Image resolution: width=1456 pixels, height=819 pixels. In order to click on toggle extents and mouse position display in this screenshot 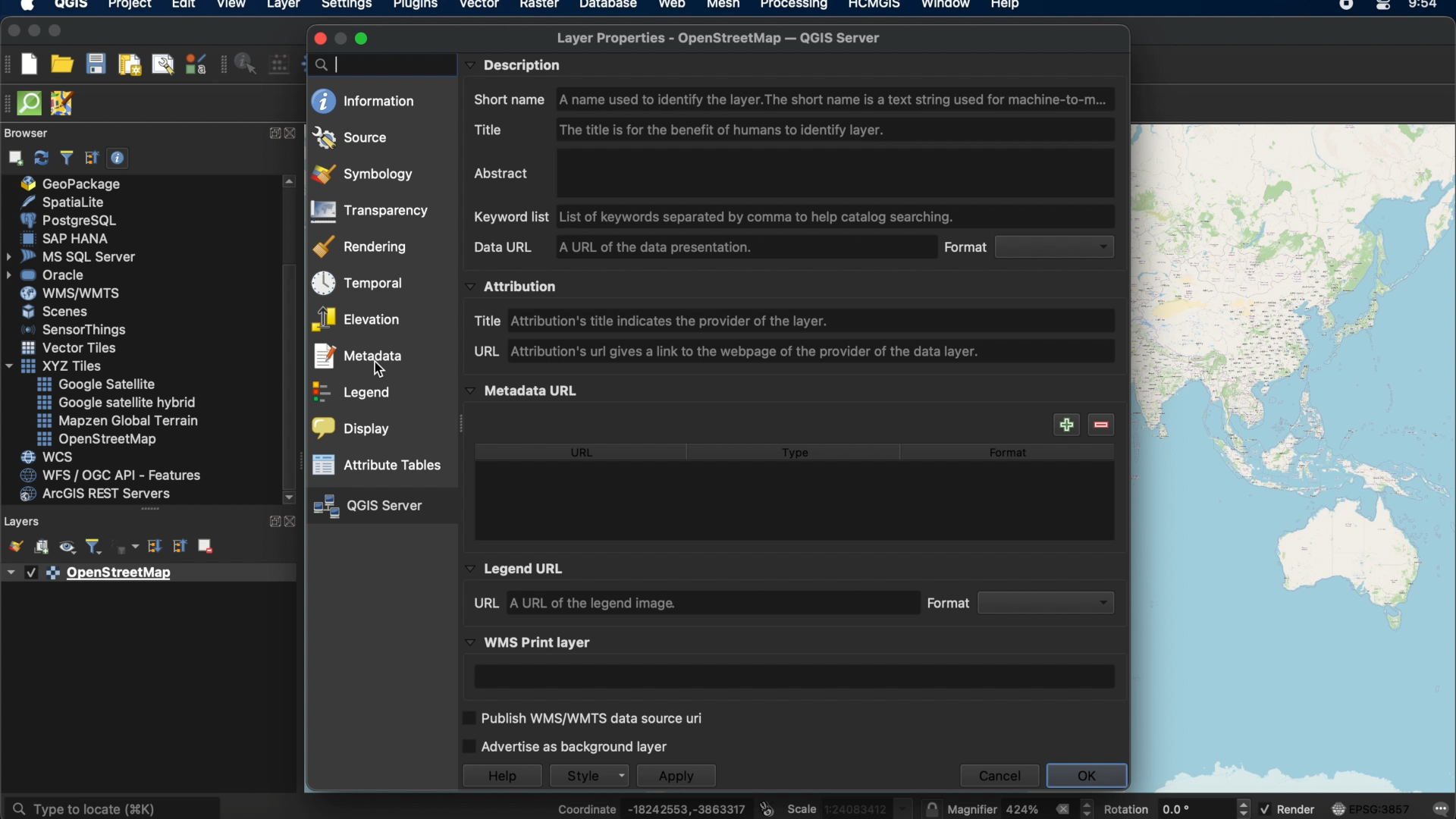, I will do `click(769, 805)`.